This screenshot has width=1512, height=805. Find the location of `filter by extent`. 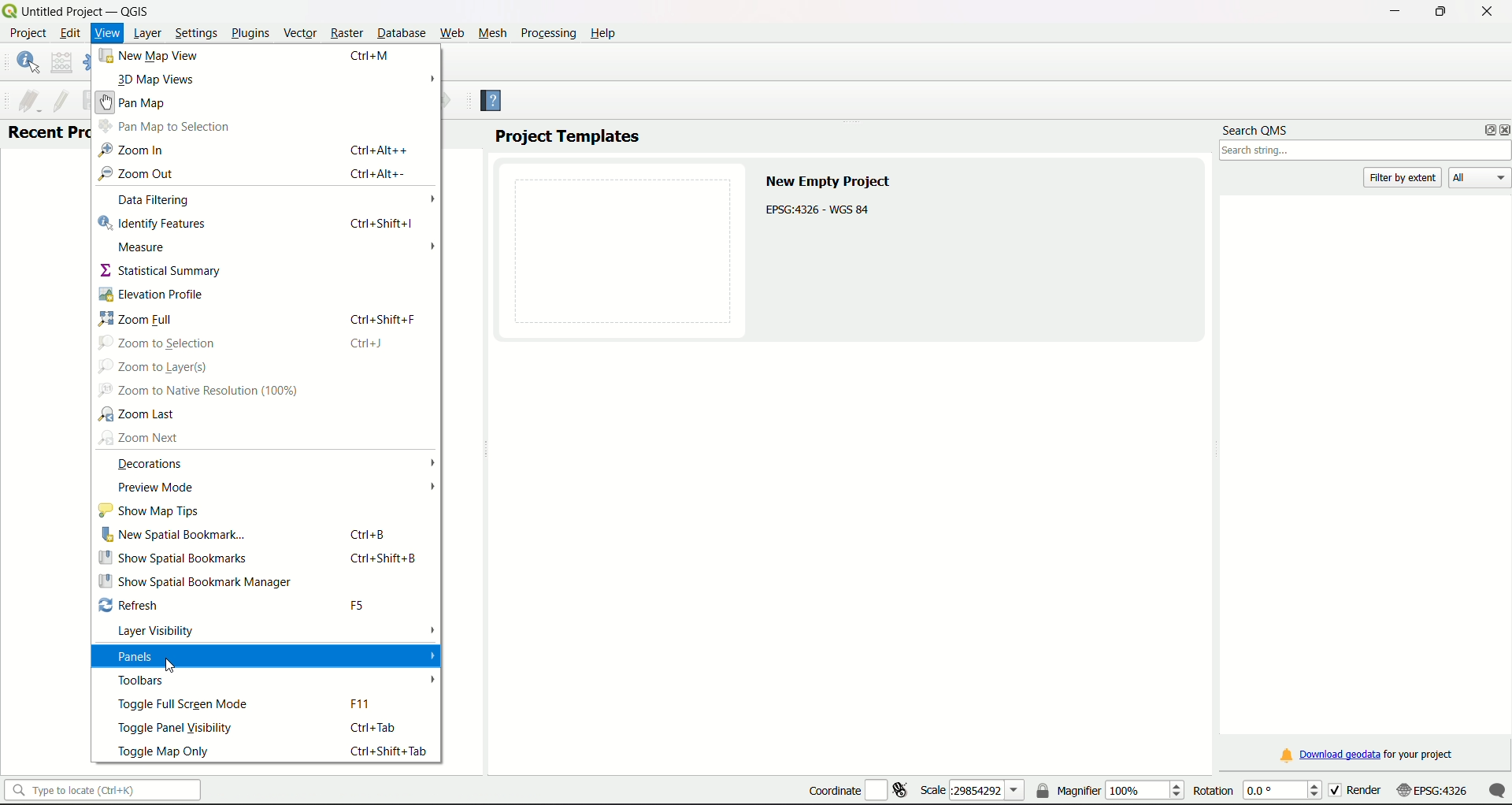

filter by extent is located at coordinates (1404, 176).